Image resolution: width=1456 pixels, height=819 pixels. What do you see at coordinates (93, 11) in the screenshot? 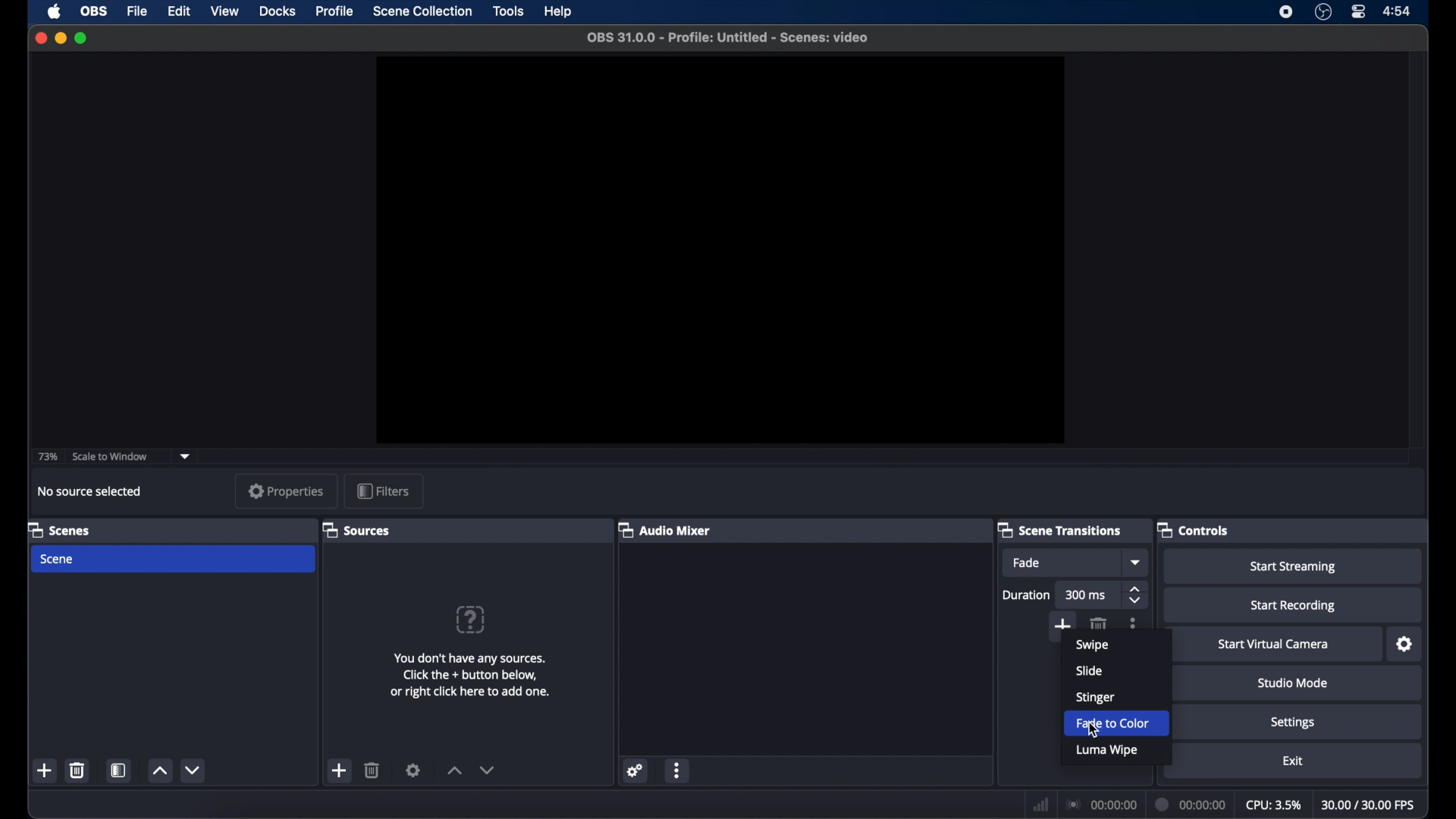
I see `obs` at bounding box center [93, 11].